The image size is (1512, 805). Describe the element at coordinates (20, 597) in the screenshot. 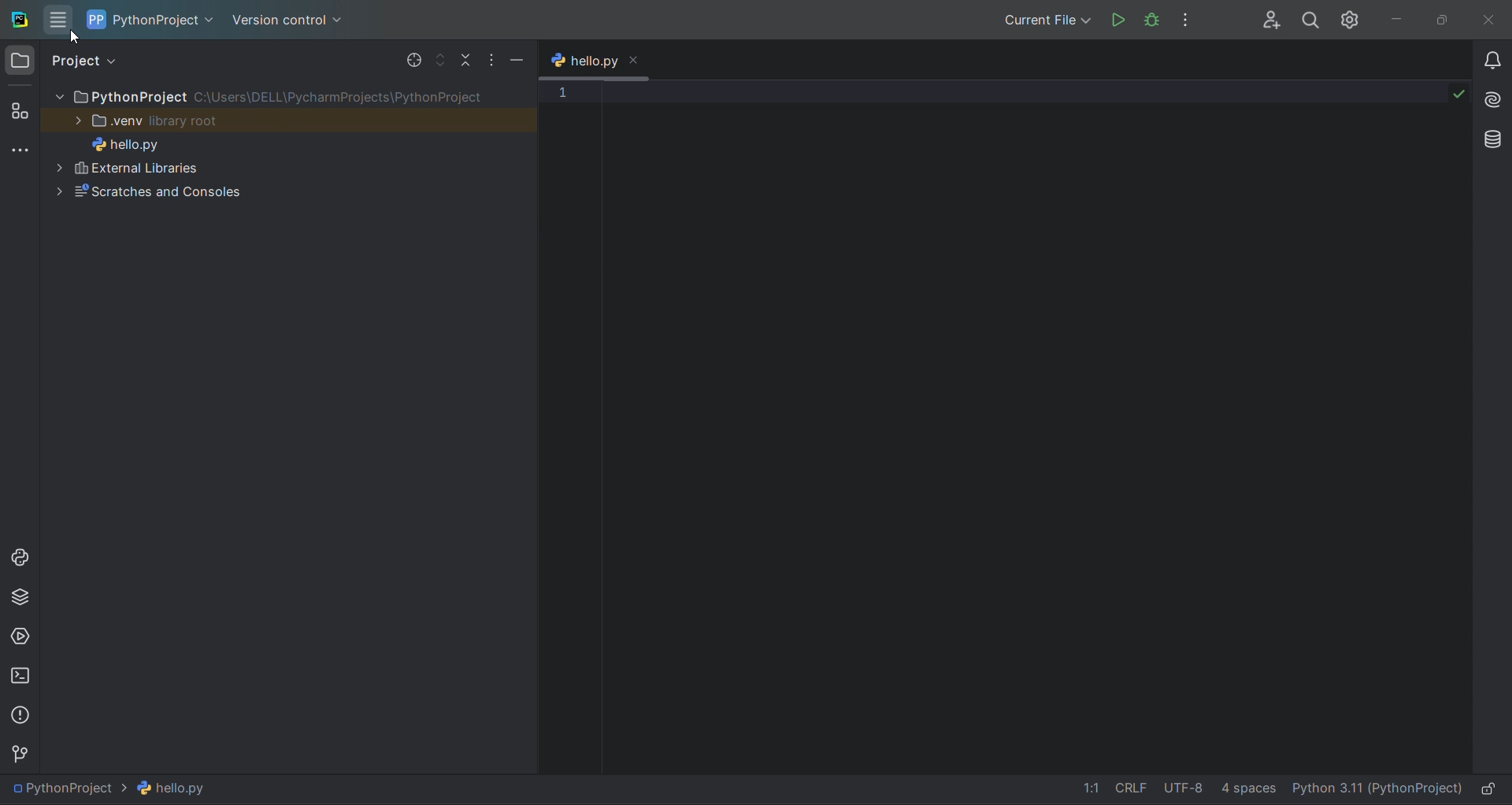

I see `python package` at that location.